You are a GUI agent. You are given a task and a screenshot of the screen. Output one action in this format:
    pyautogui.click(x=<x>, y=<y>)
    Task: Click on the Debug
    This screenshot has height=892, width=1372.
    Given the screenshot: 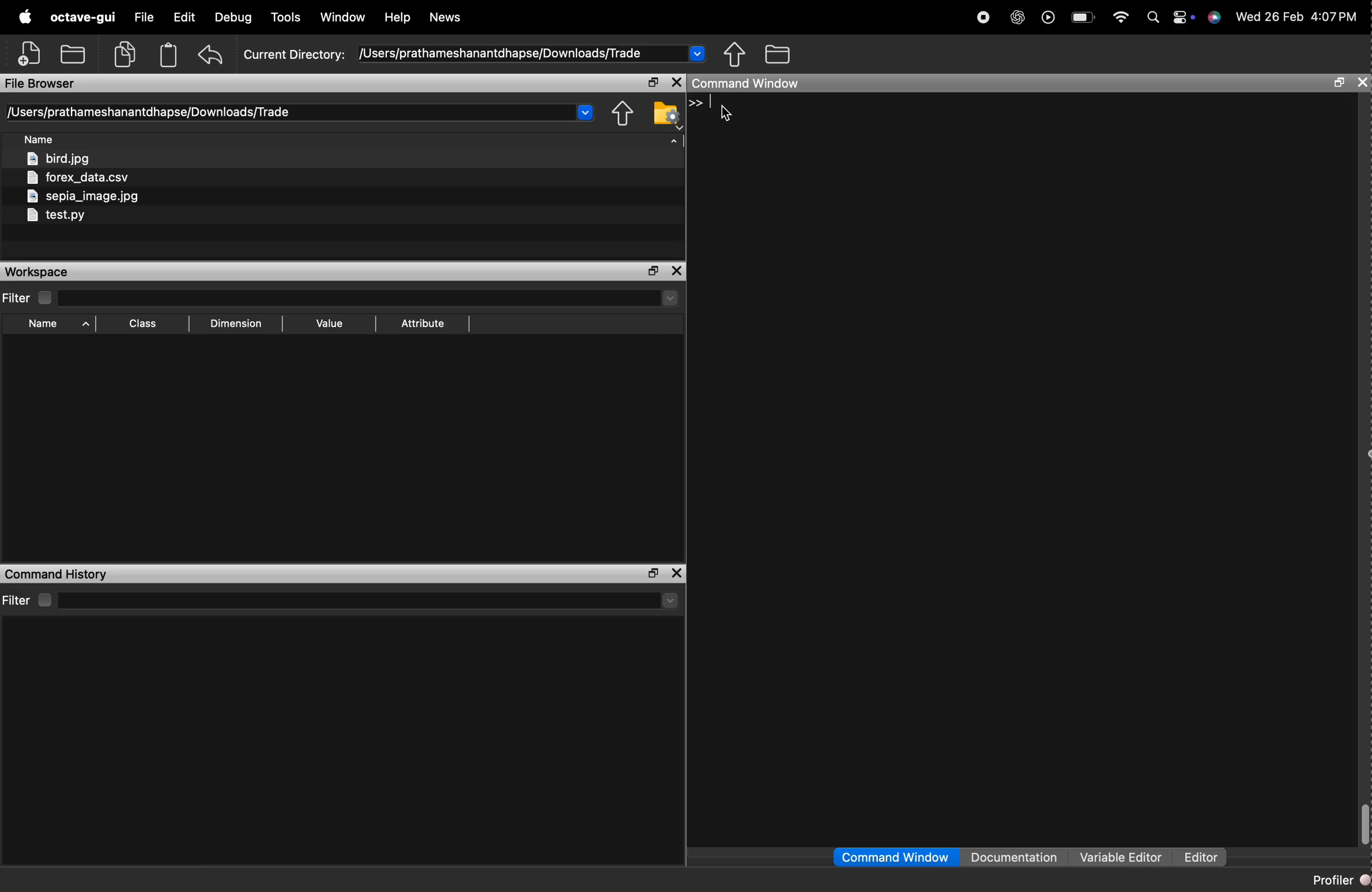 What is the action you would take?
    pyautogui.click(x=233, y=17)
    